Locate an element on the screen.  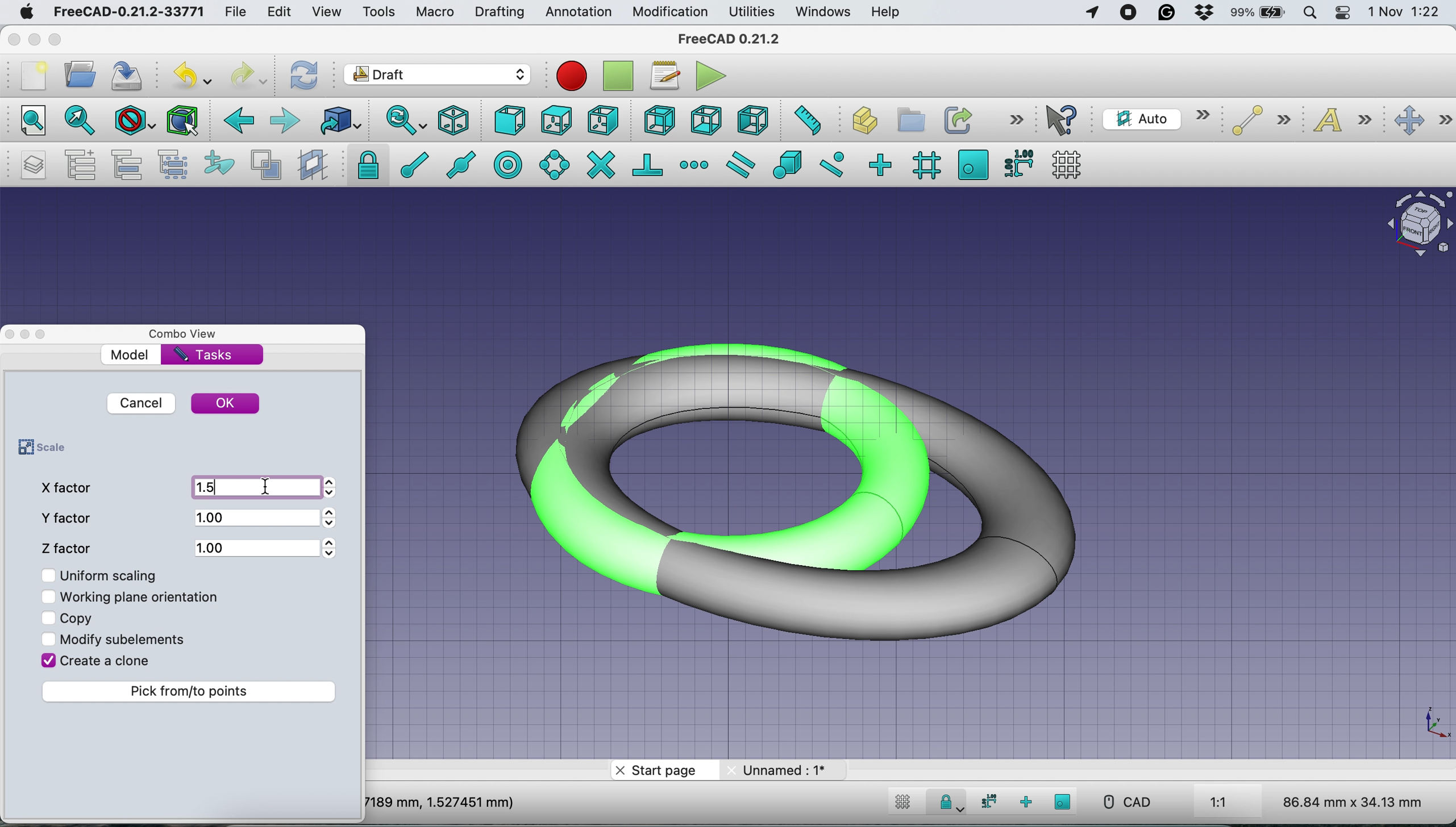
what's this is located at coordinates (1065, 120).